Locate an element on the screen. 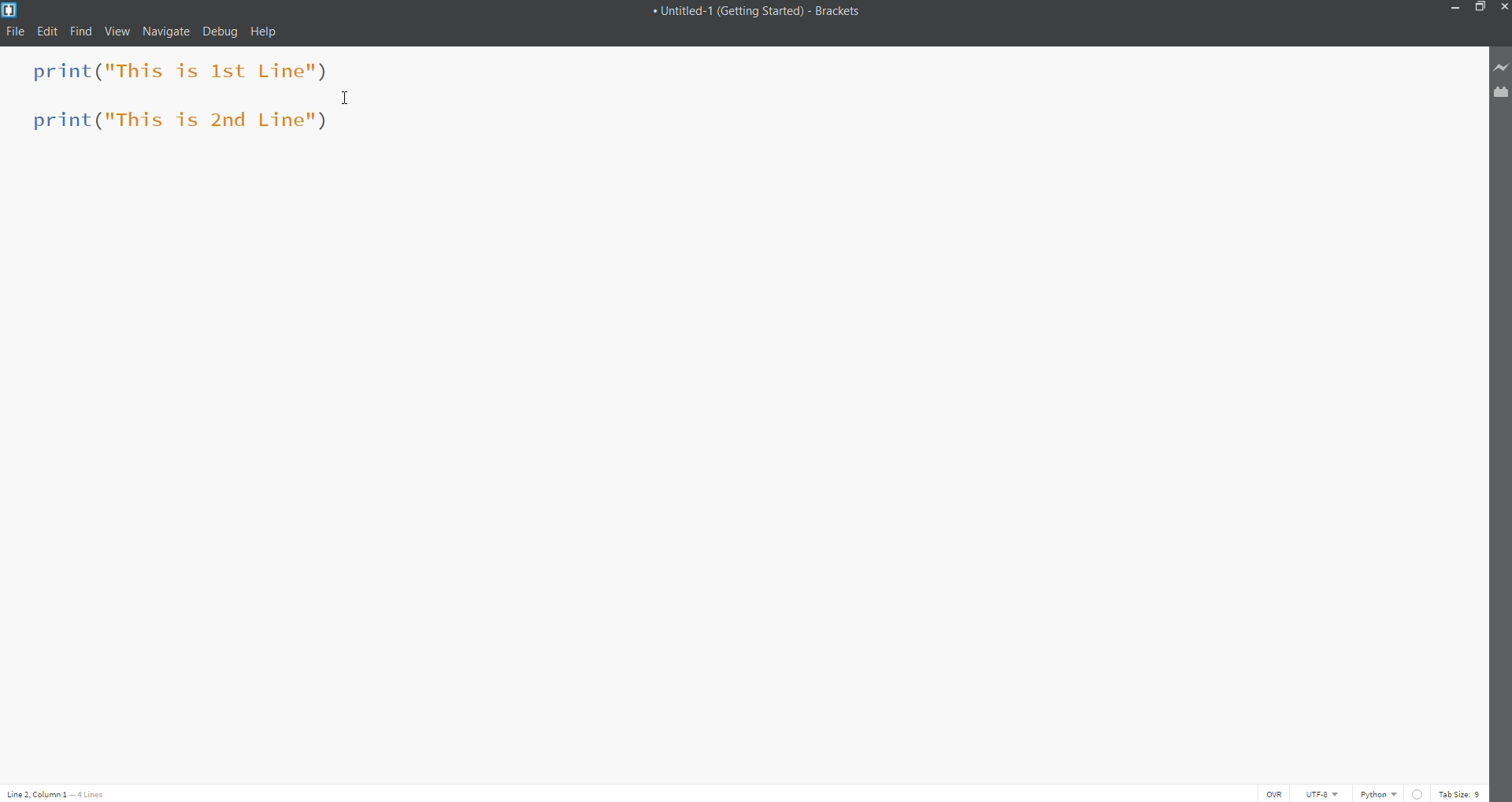 The height and width of the screenshot is (802, 1512). Live Preview is located at coordinates (1500, 68).